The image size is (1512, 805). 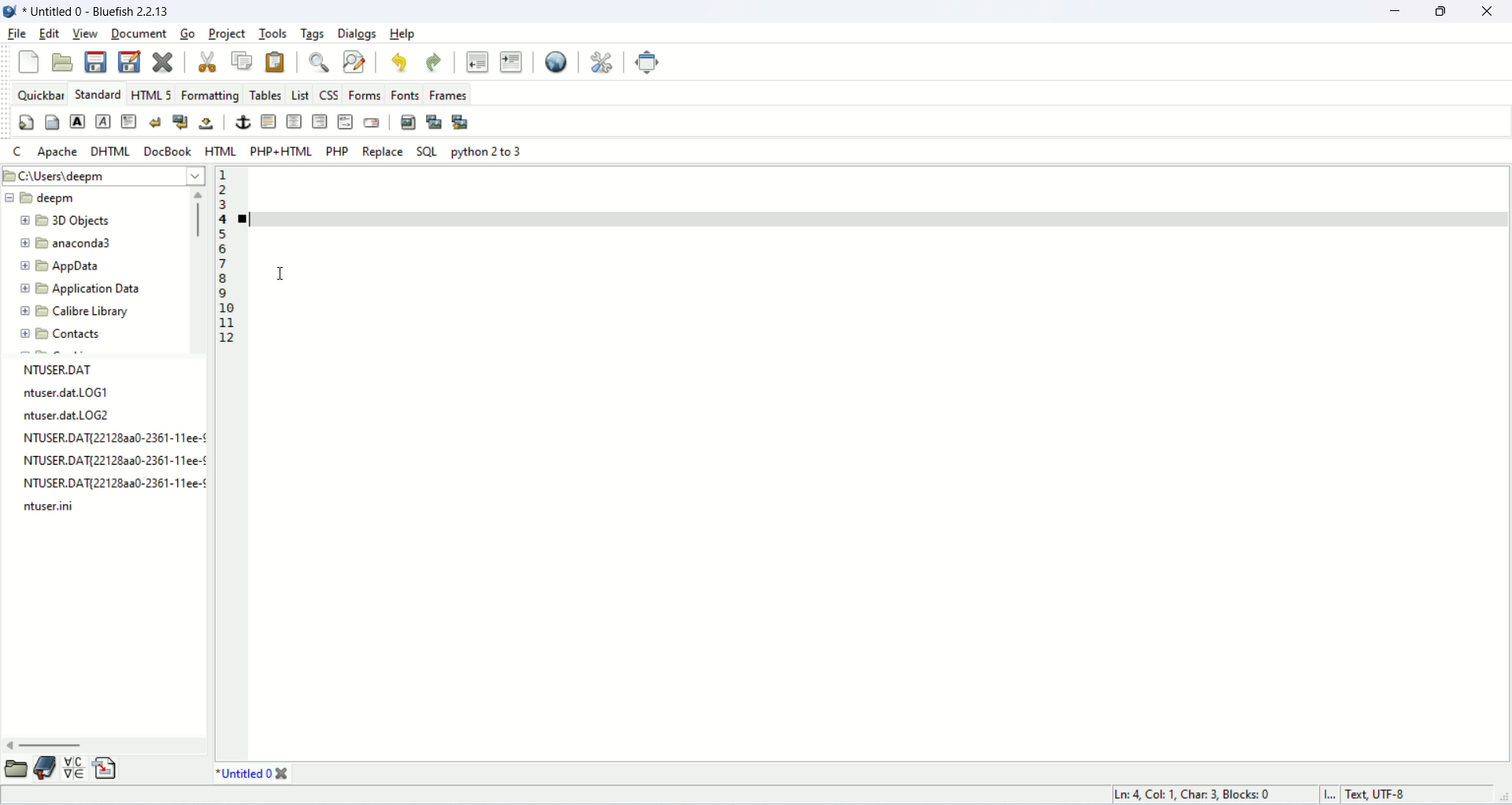 I want to click on PHP+HTML, so click(x=282, y=151).